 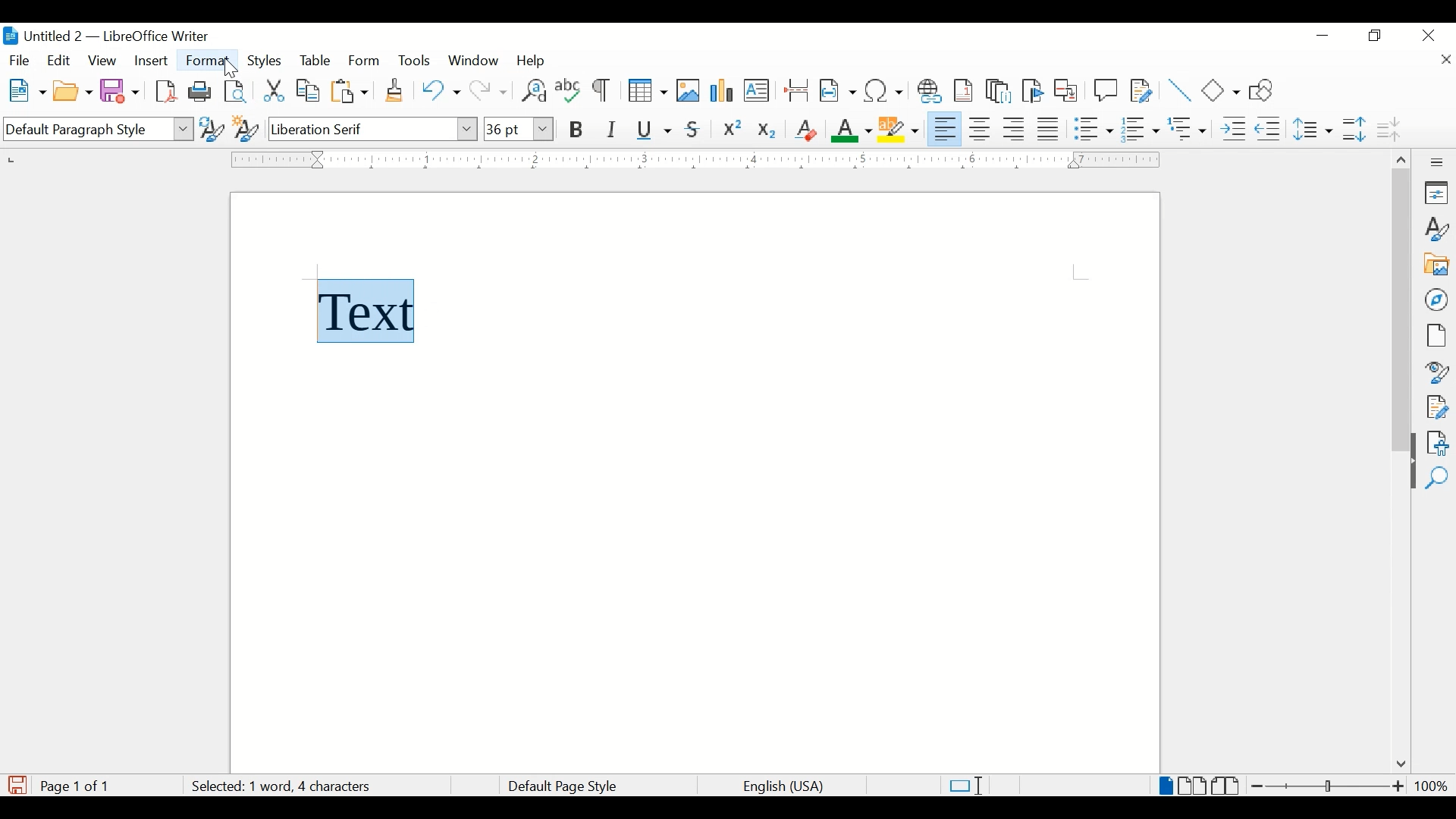 I want to click on insert line, so click(x=1180, y=90).